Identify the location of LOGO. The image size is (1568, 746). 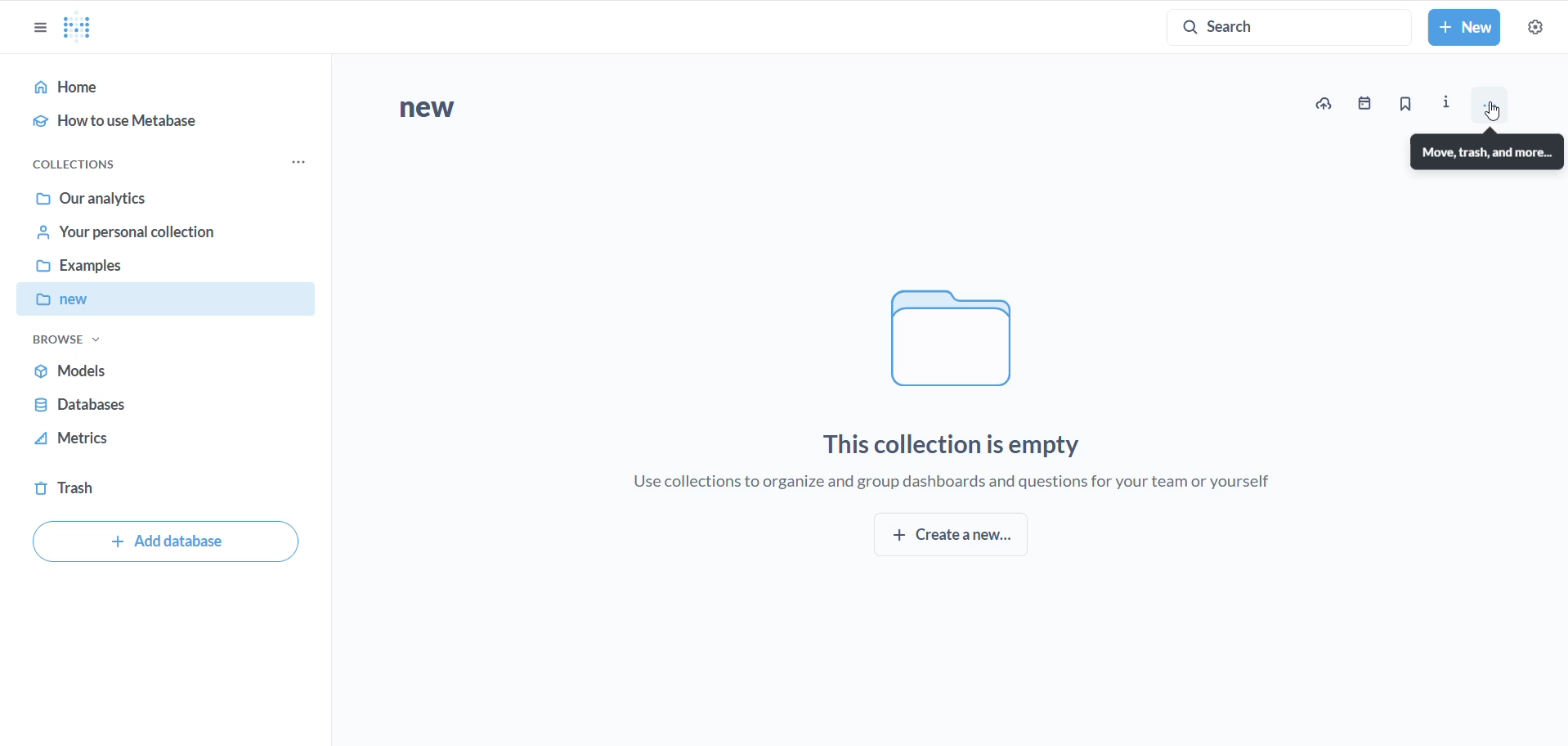
(84, 27).